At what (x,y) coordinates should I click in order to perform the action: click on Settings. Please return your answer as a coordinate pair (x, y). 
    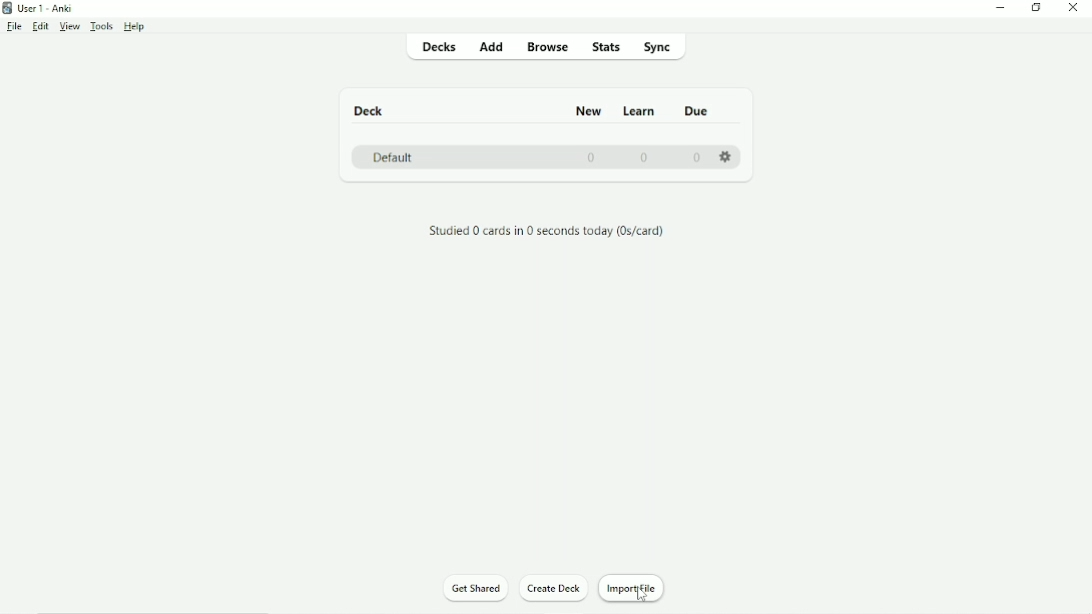
    Looking at the image, I should click on (726, 158).